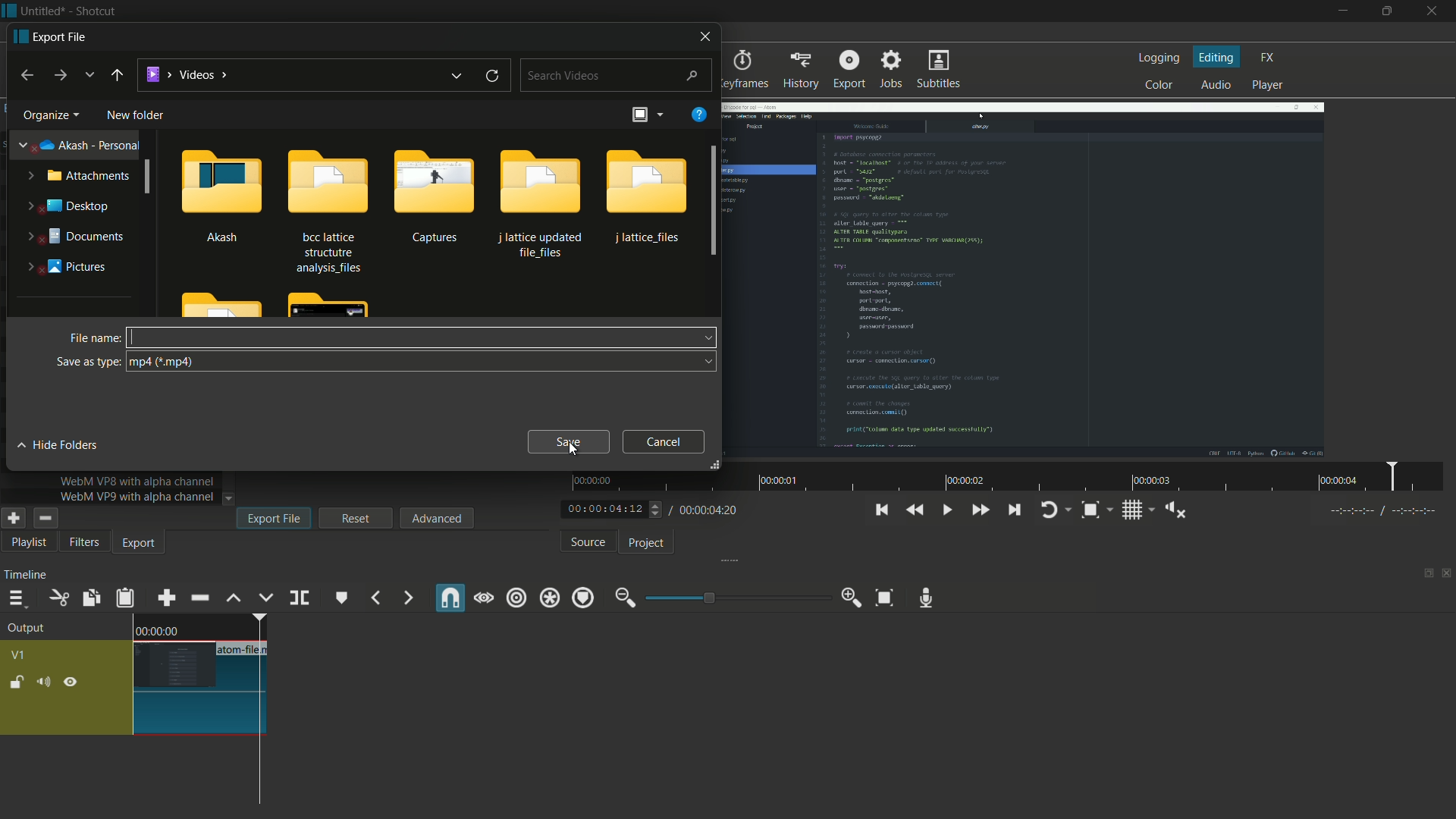  I want to click on paste, so click(127, 600).